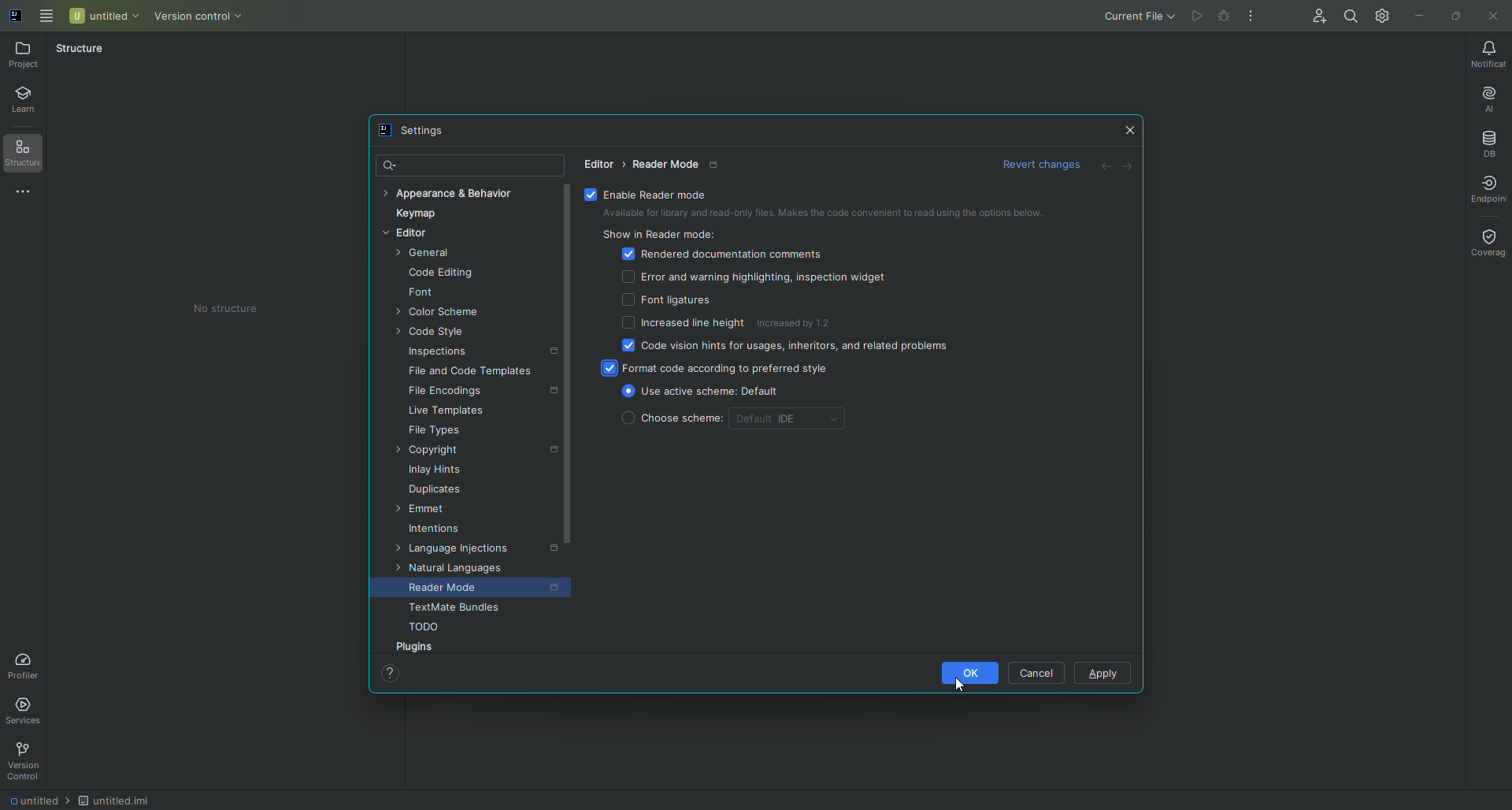  Describe the element at coordinates (417, 292) in the screenshot. I see `Font` at that location.